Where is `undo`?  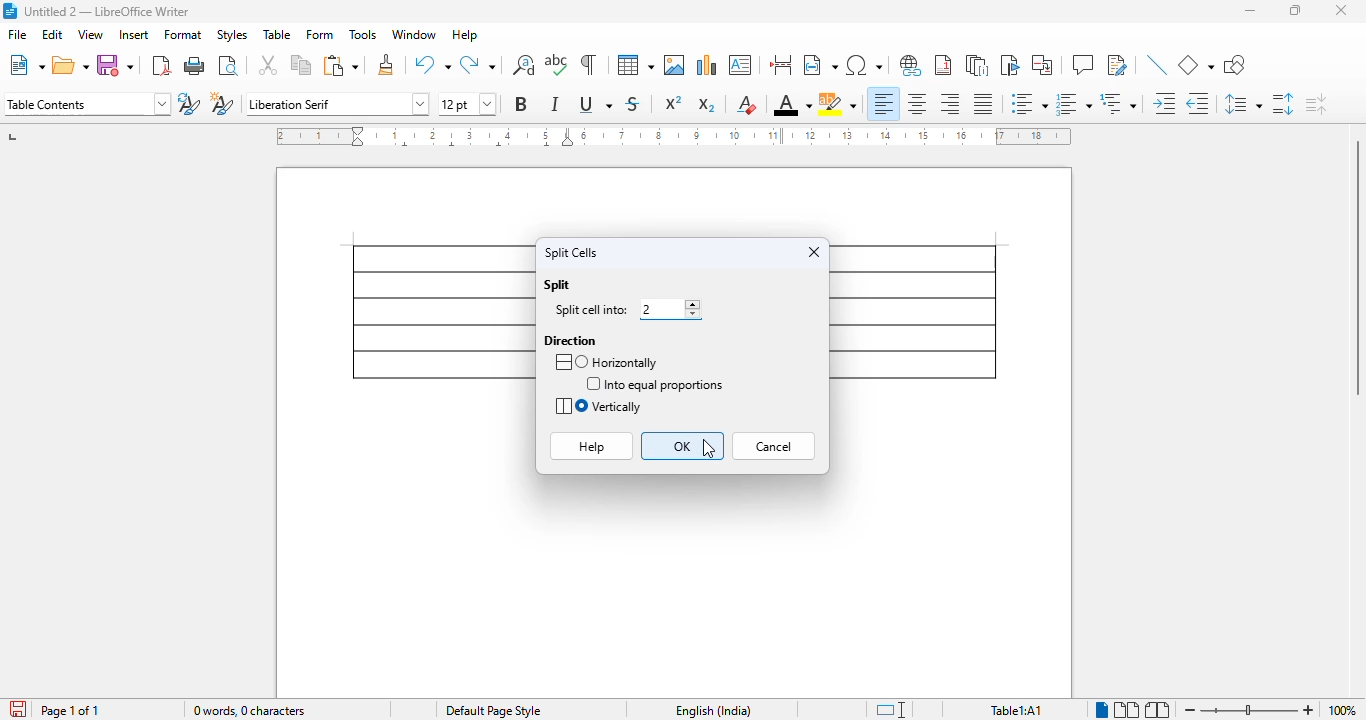
undo is located at coordinates (433, 64).